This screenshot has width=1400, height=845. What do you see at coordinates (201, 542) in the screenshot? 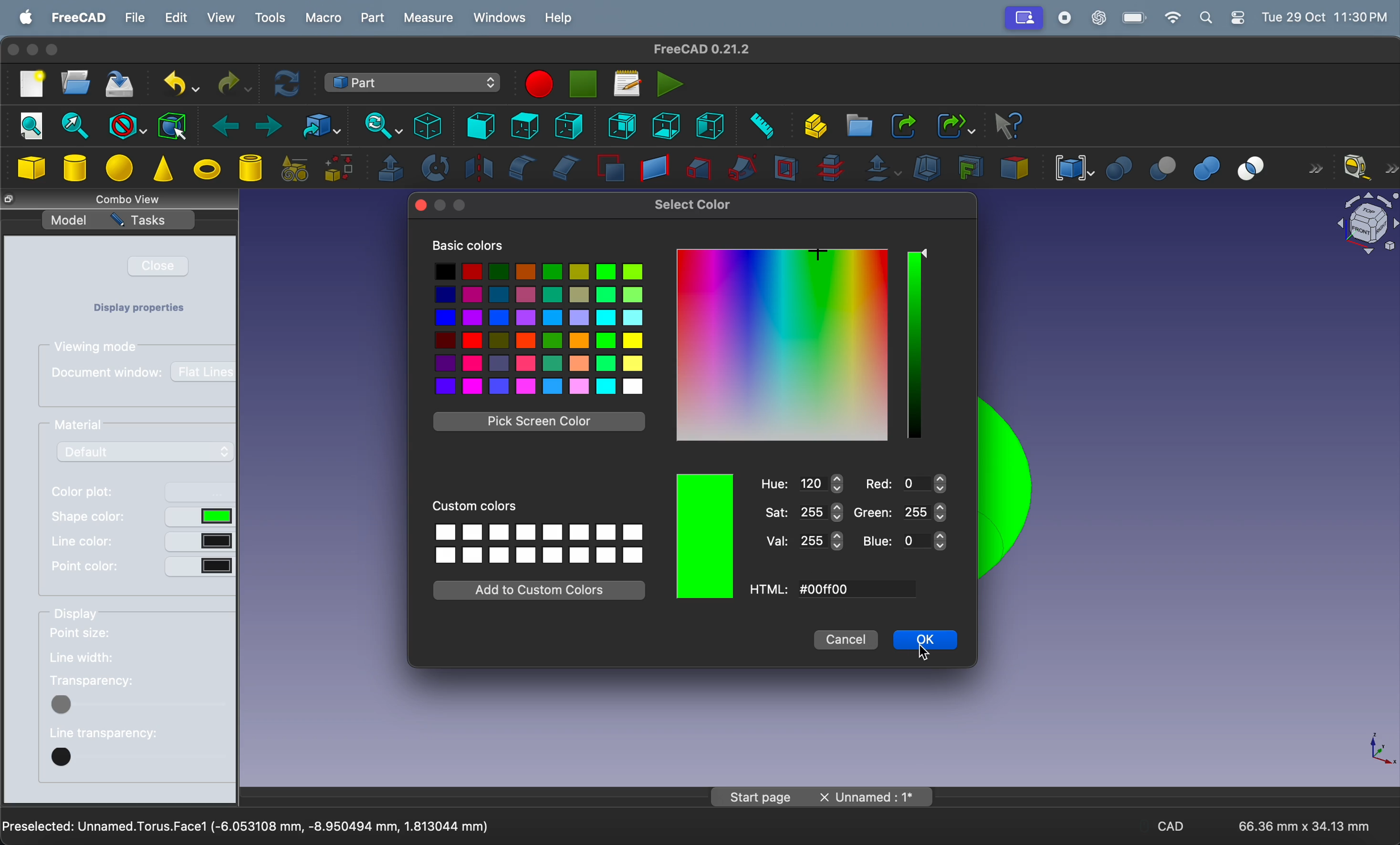
I see `button` at bounding box center [201, 542].